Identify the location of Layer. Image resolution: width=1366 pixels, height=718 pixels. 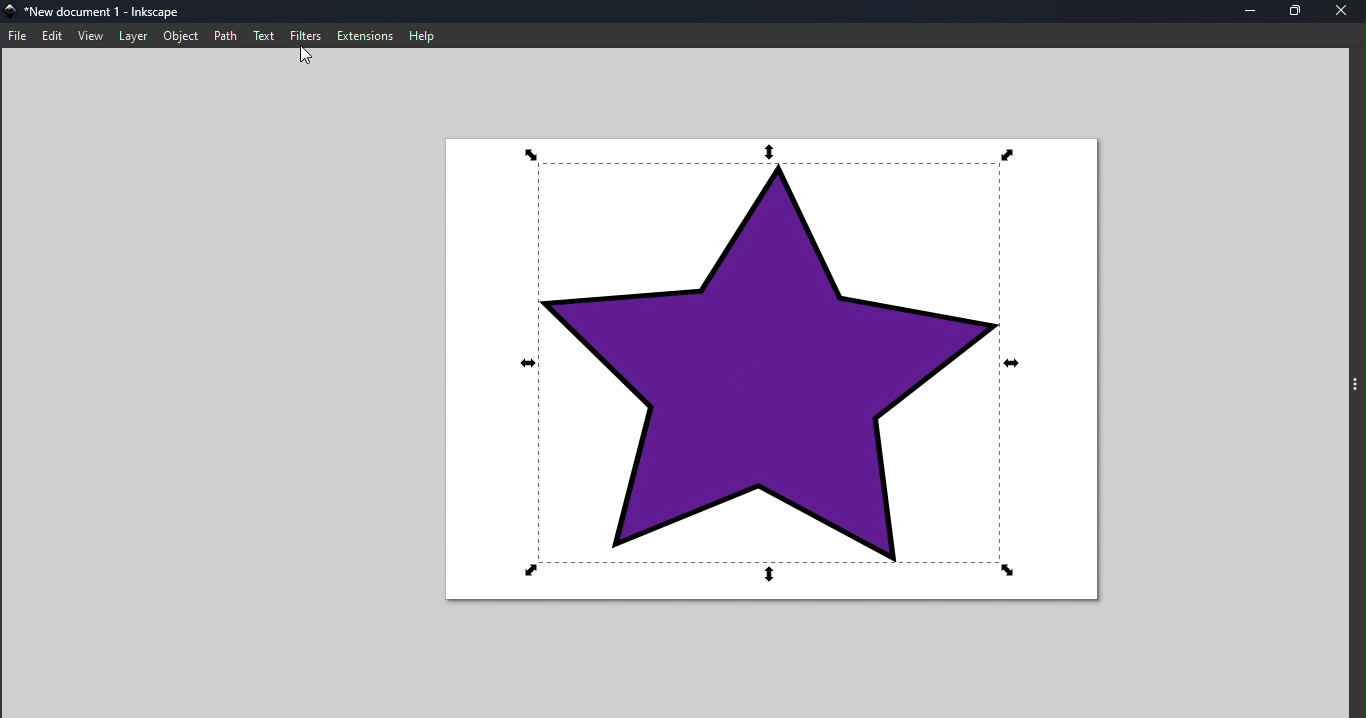
(131, 36).